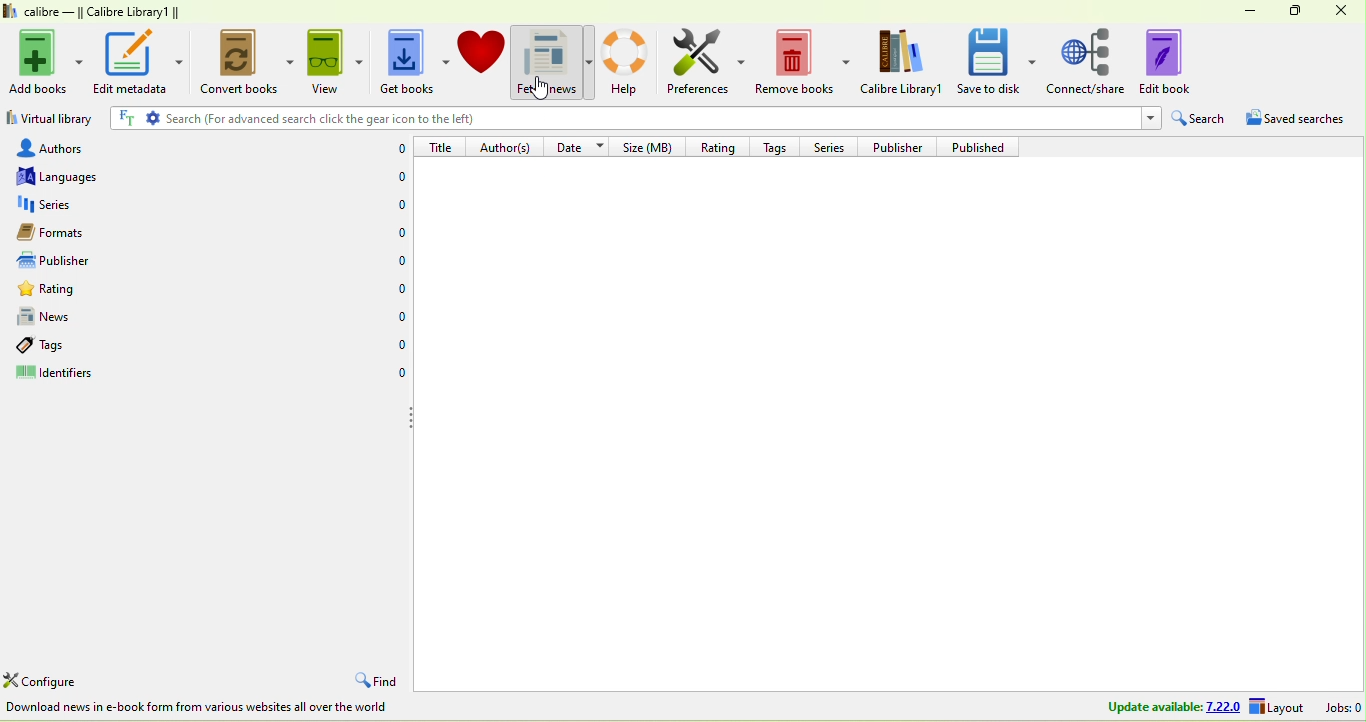 The height and width of the screenshot is (722, 1366). I want to click on size, so click(651, 148).